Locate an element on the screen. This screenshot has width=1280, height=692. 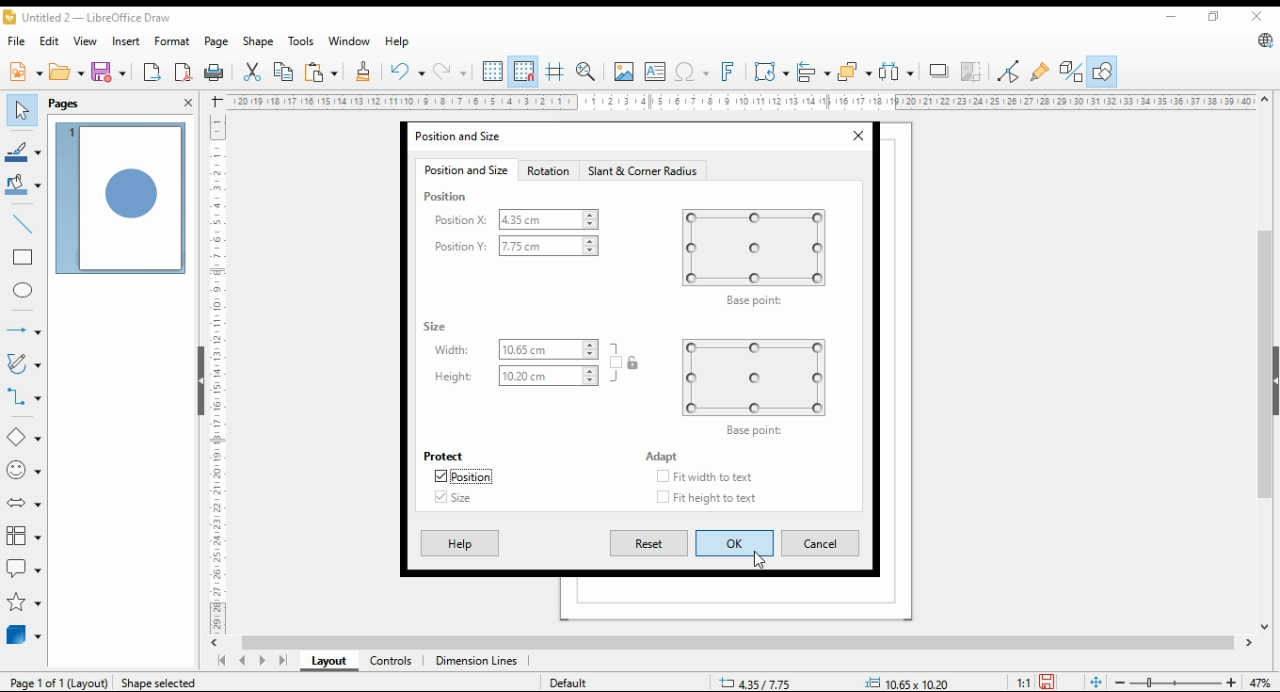
export directly as pdf is located at coordinates (184, 71).